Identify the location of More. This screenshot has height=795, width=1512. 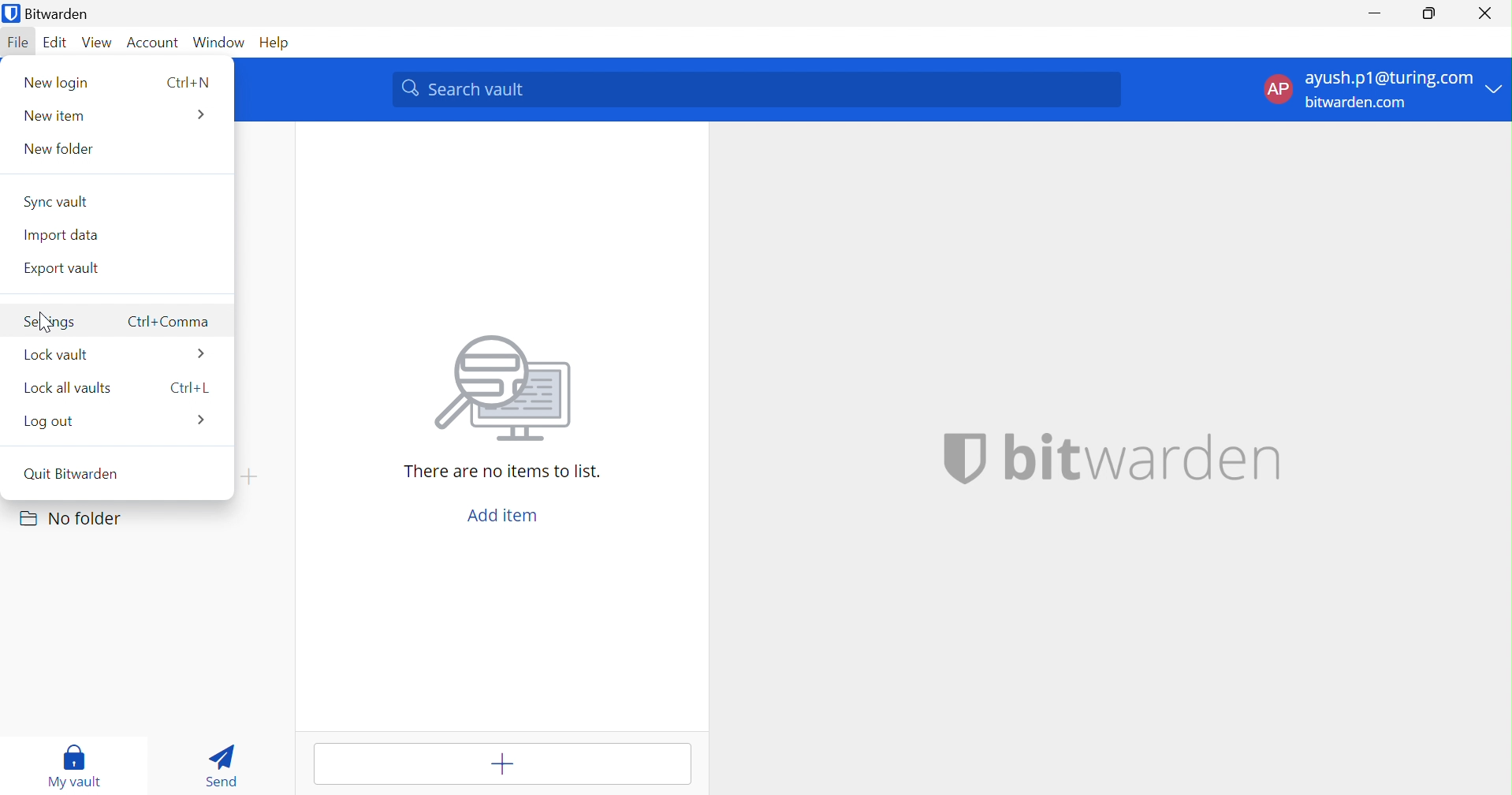
(201, 353).